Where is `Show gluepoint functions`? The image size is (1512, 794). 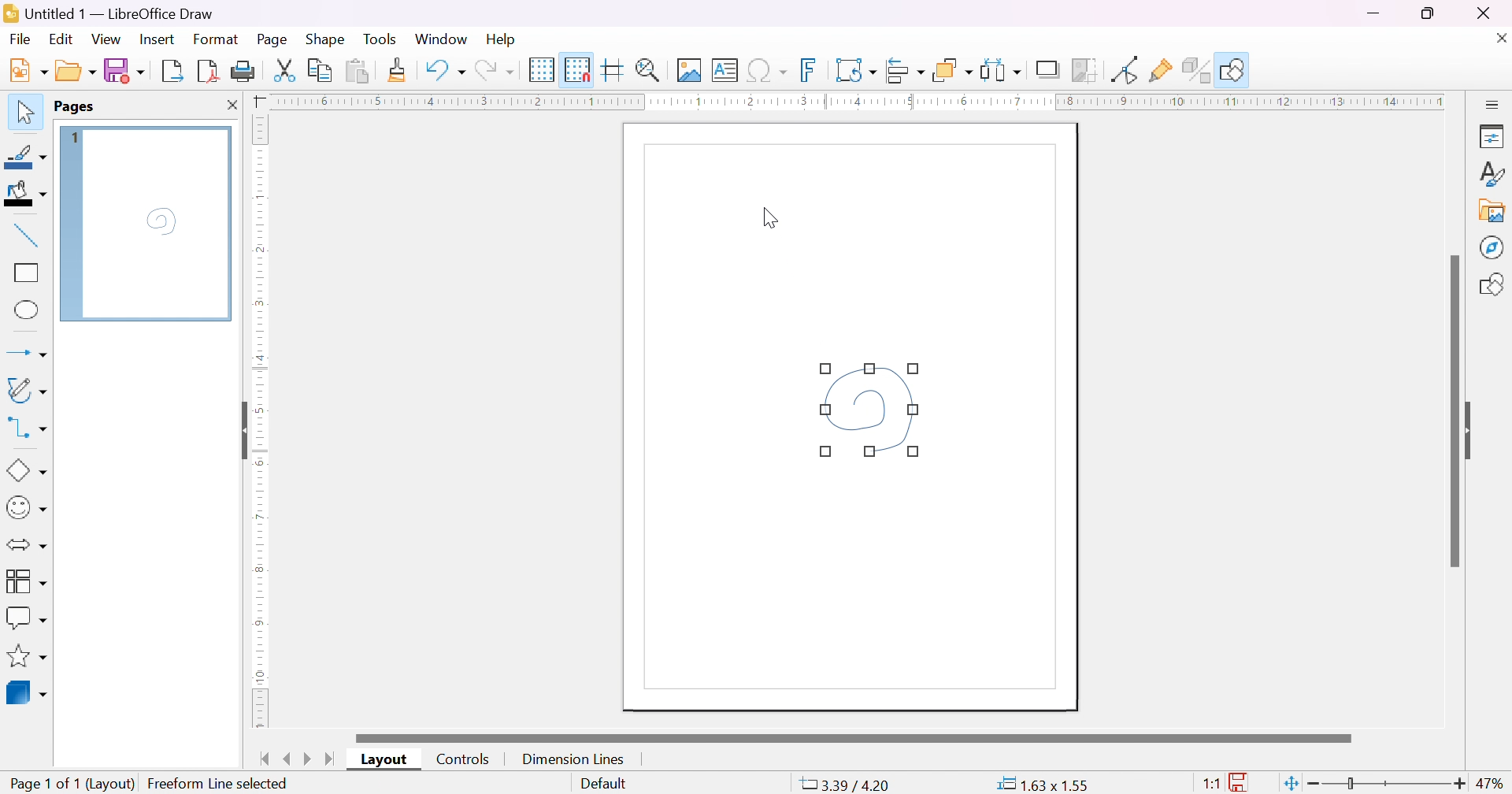 Show gluepoint functions is located at coordinates (1161, 70).